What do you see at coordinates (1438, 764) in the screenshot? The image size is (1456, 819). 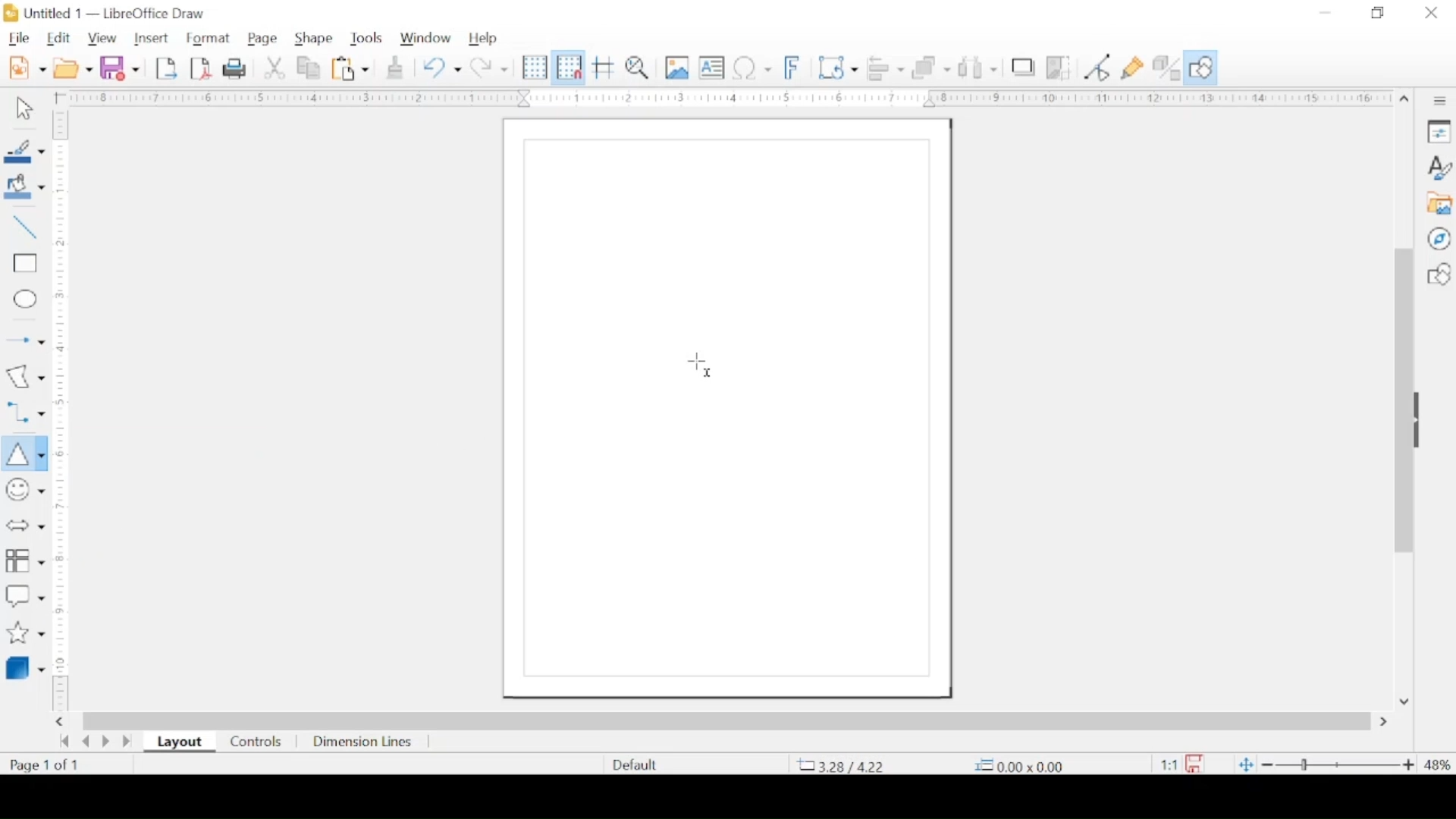 I see `zoom level` at bounding box center [1438, 764].